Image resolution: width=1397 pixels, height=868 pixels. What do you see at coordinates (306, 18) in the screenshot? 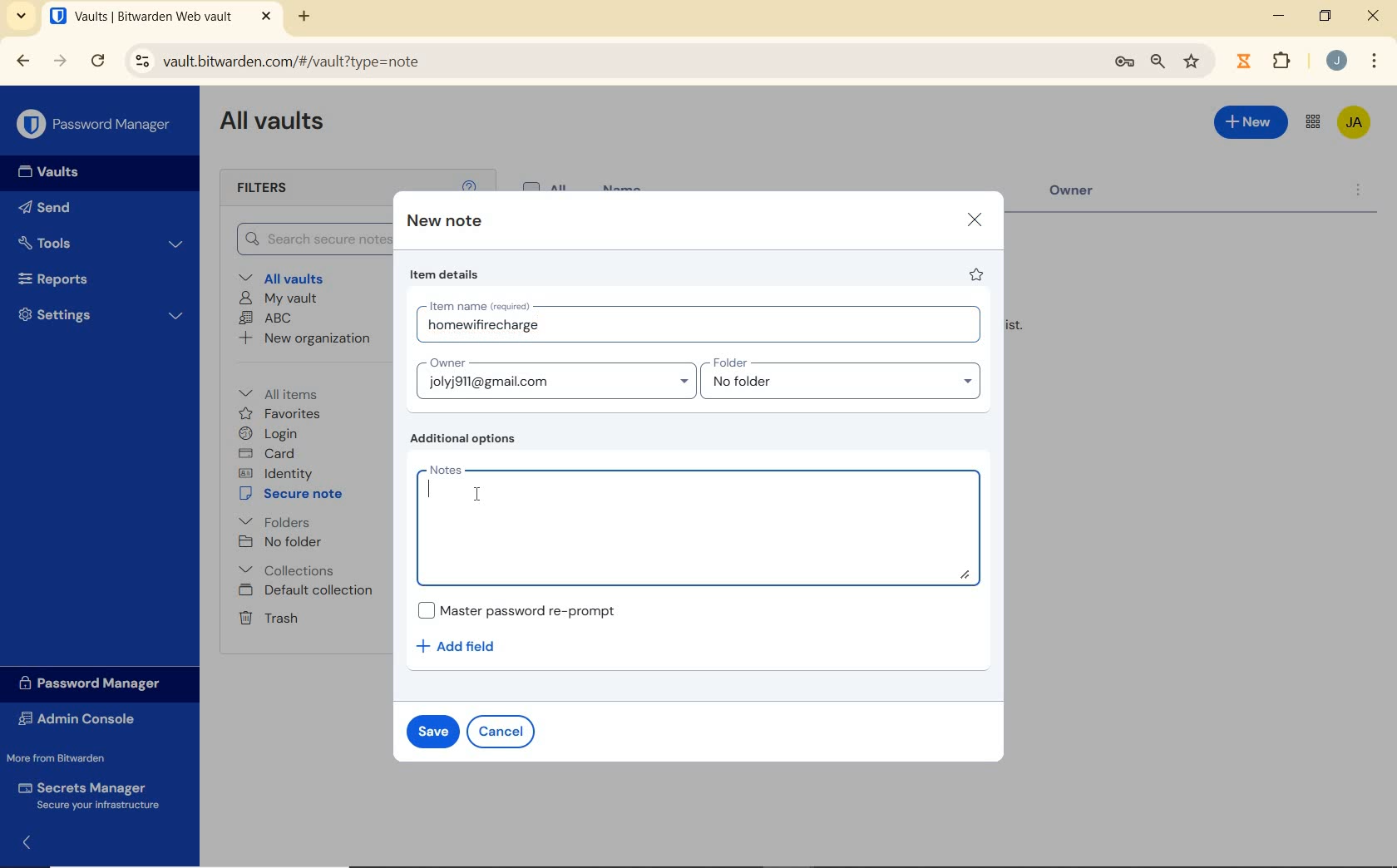
I see `new tab` at bounding box center [306, 18].